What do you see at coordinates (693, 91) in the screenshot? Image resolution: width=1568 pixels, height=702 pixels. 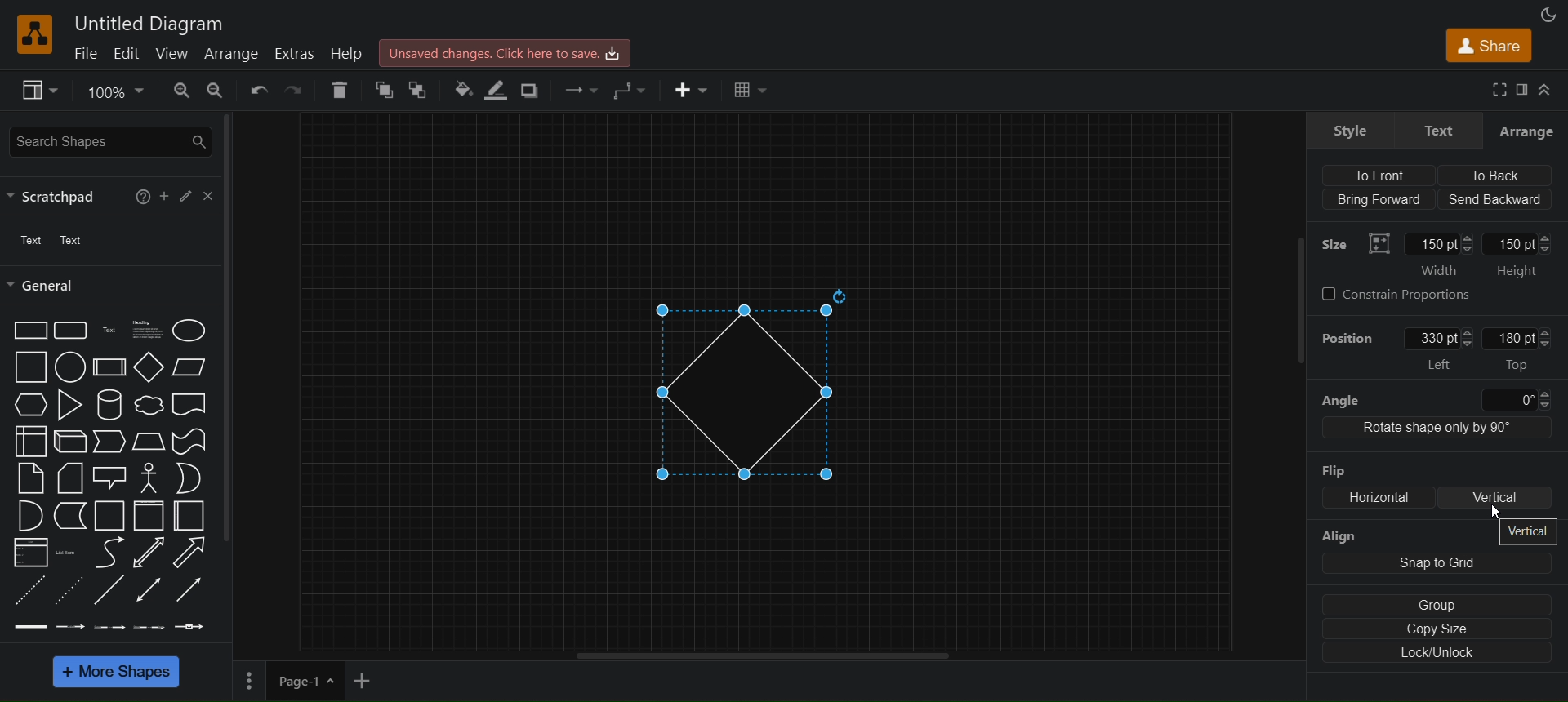 I see `insert` at bounding box center [693, 91].